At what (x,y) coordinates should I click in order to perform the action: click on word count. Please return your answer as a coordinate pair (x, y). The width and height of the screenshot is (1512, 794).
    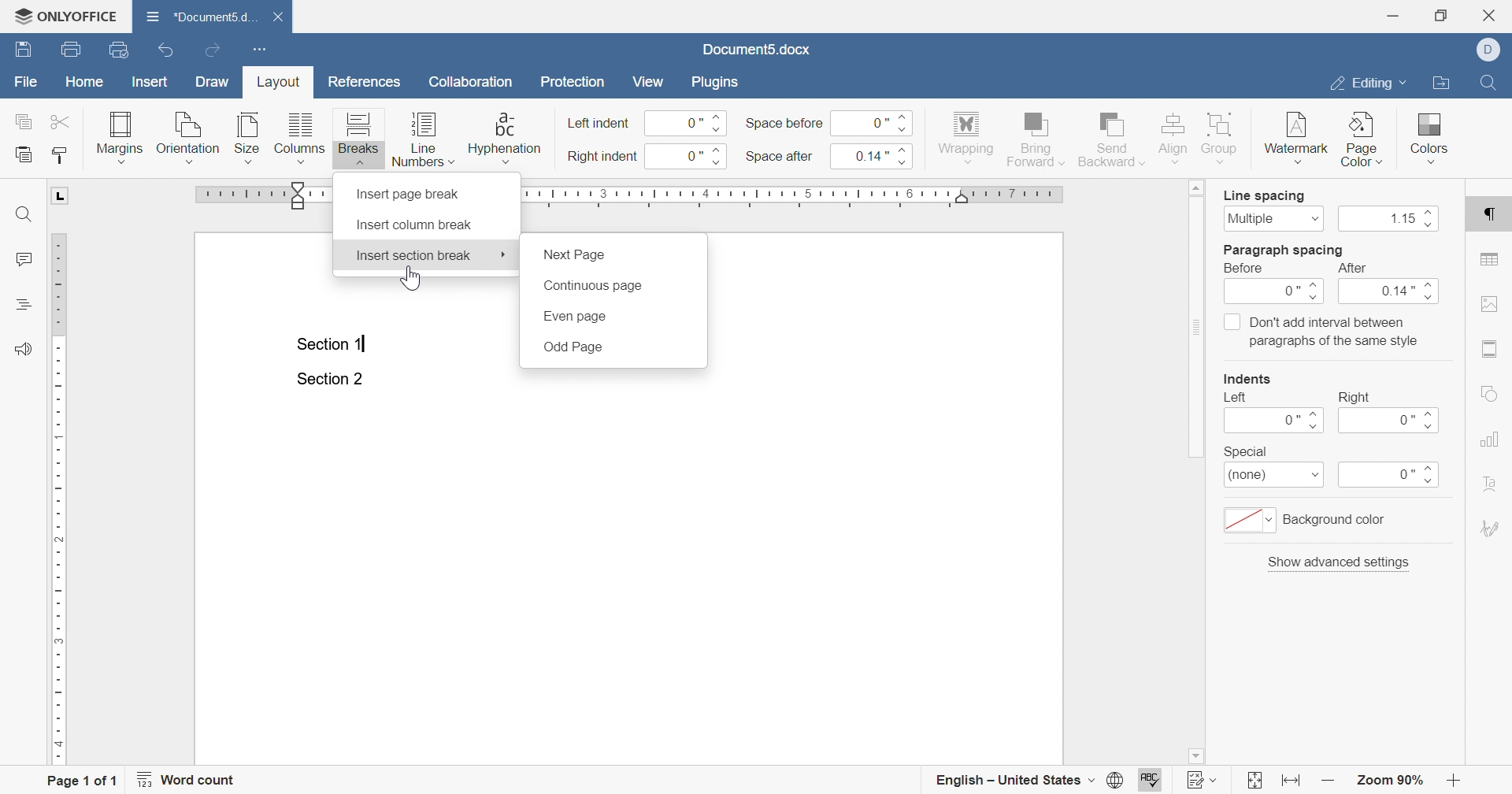
    Looking at the image, I should click on (190, 779).